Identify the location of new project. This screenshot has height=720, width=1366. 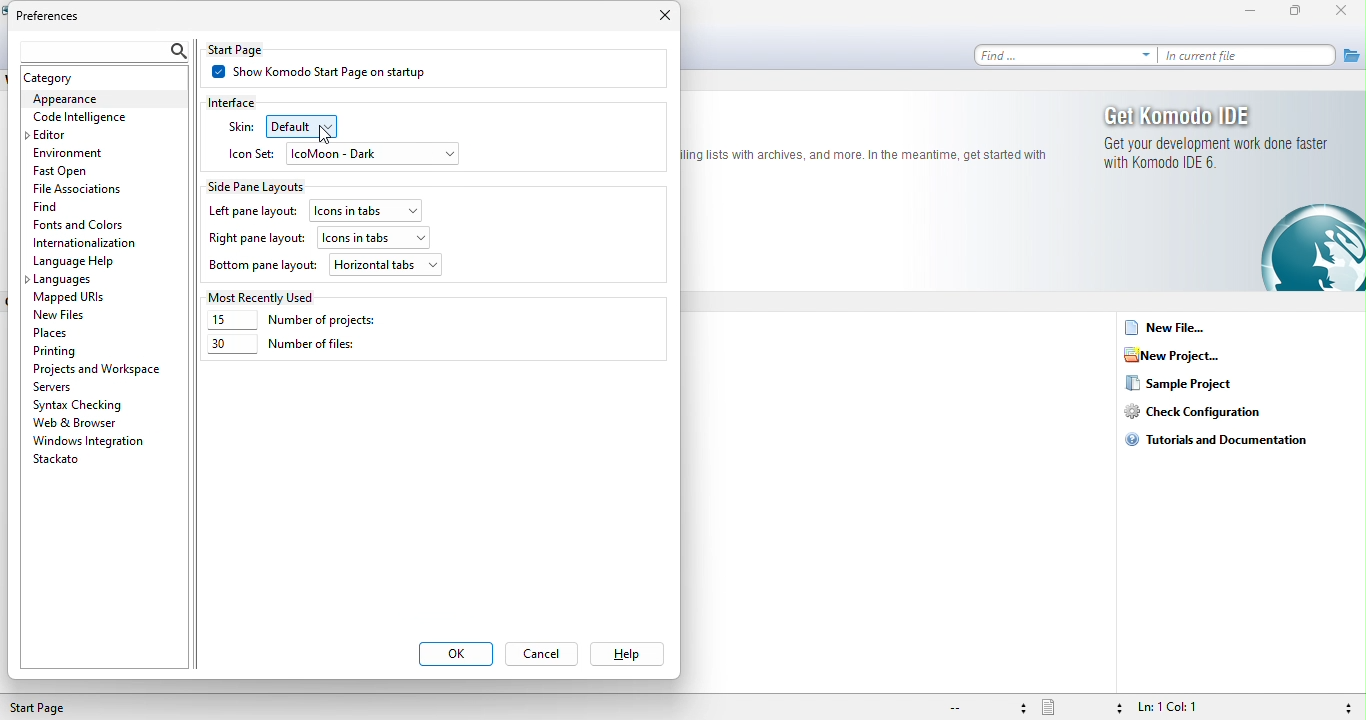
(1179, 356).